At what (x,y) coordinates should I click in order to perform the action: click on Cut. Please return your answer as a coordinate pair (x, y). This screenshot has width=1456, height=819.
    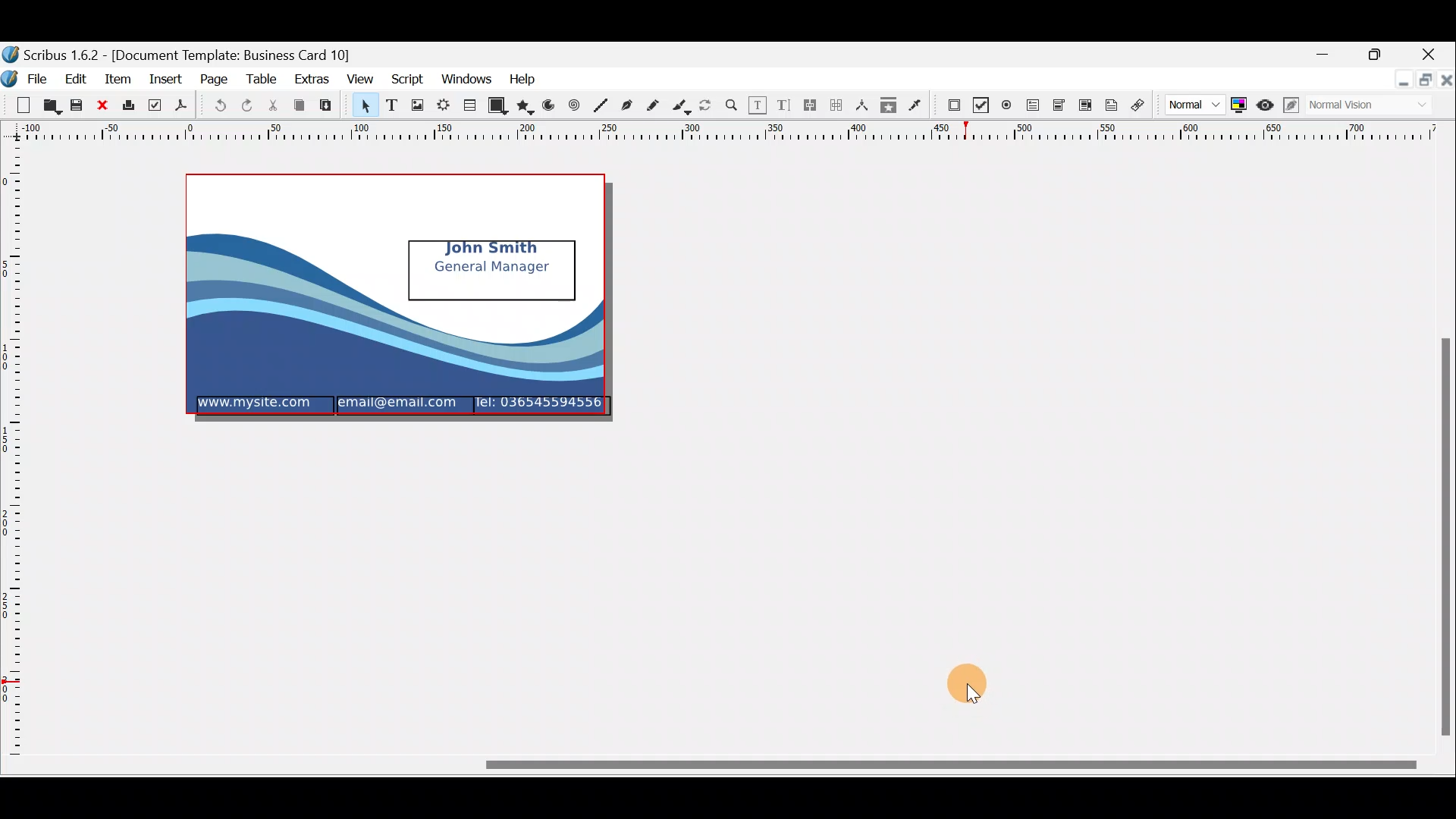
    Looking at the image, I should click on (274, 106).